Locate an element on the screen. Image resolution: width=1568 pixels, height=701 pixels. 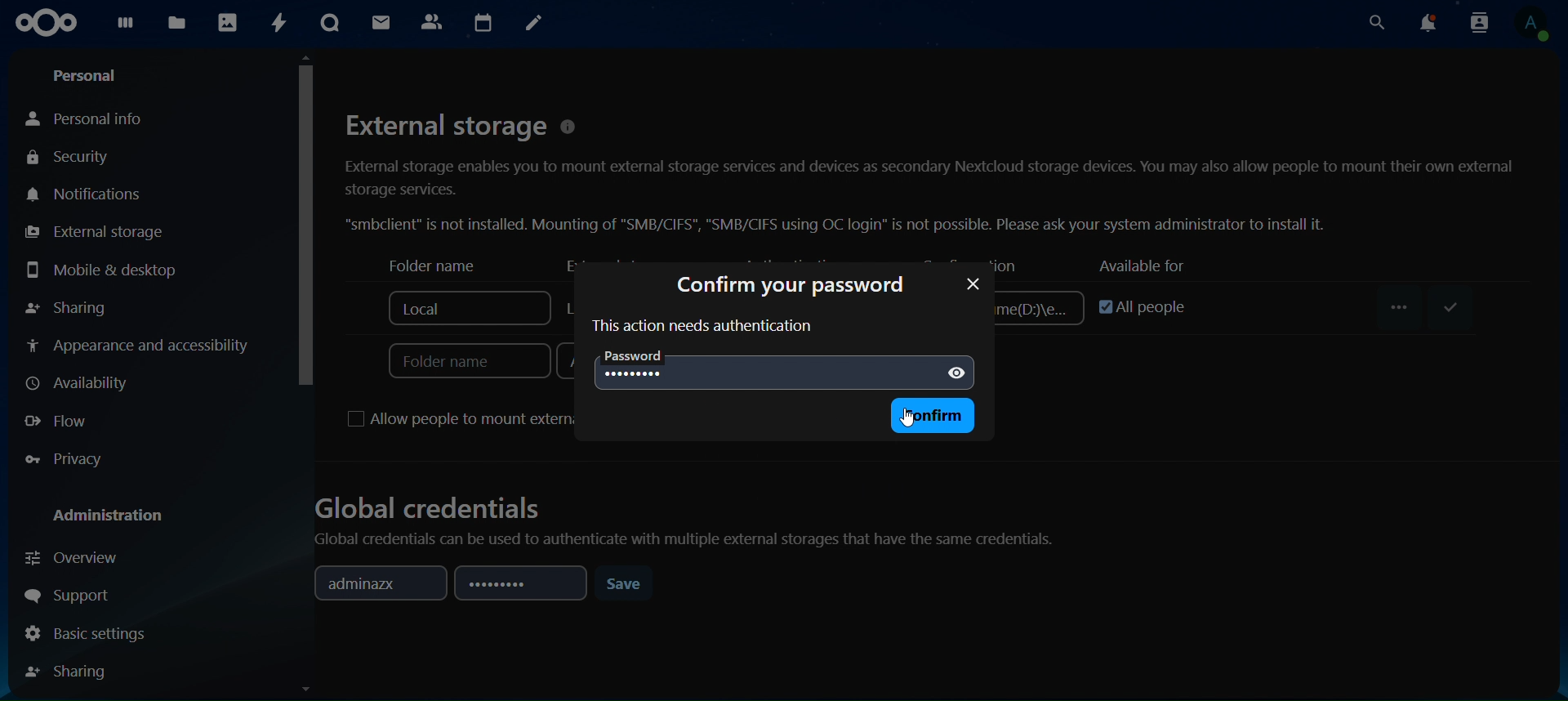
save is located at coordinates (627, 584).